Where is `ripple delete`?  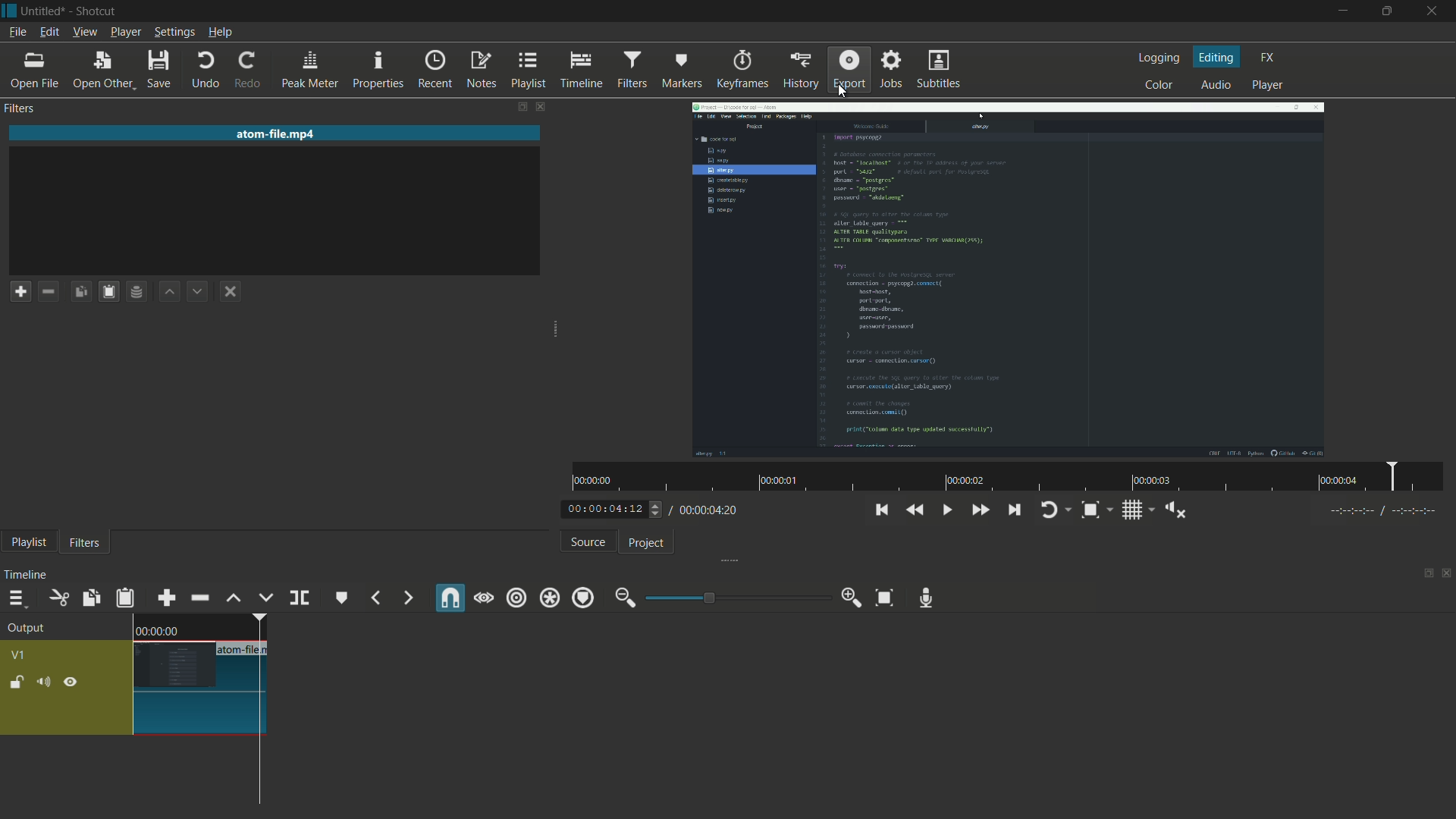 ripple delete is located at coordinates (199, 598).